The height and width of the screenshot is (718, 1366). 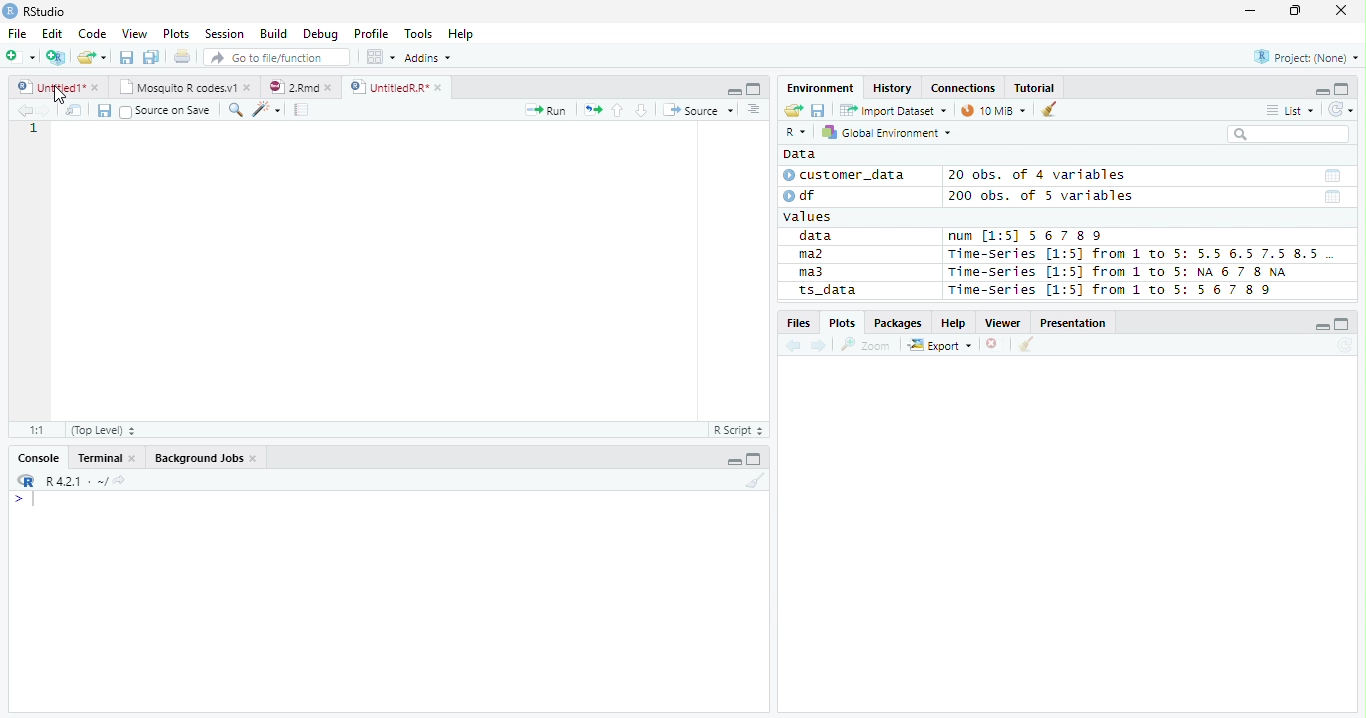 I want to click on Environment, so click(x=822, y=88).